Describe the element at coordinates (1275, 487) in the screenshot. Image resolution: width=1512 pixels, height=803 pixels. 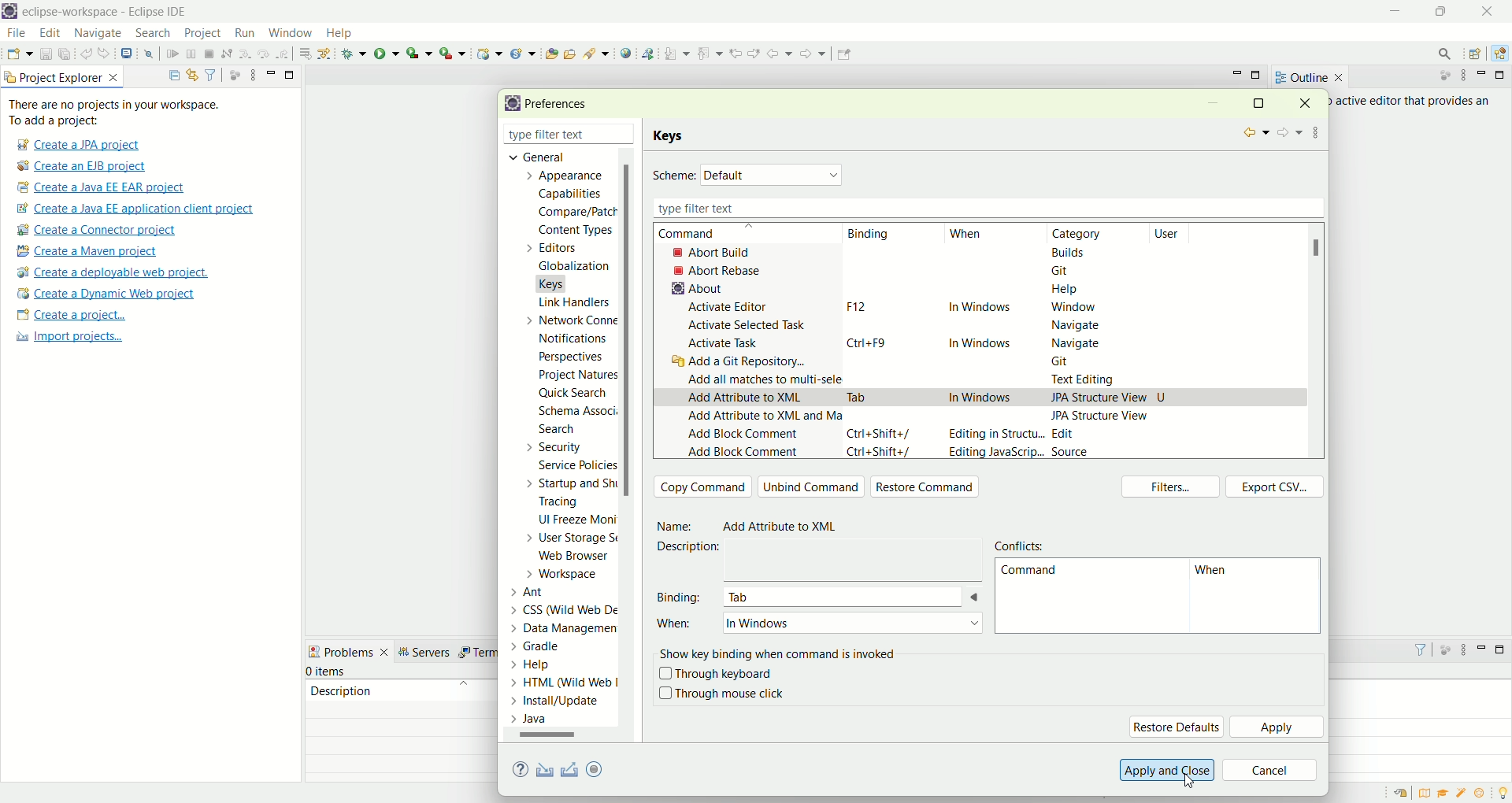
I see `export CSV` at that location.